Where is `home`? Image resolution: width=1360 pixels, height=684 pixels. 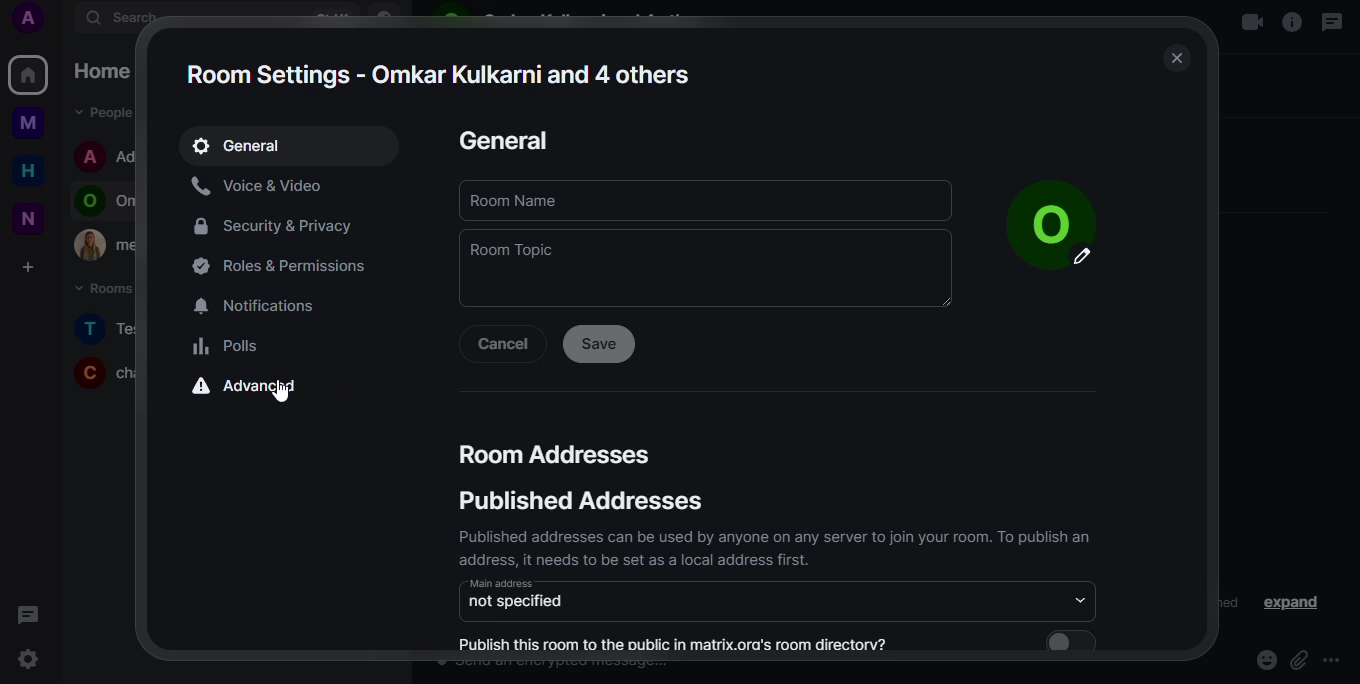 home is located at coordinates (27, 172).